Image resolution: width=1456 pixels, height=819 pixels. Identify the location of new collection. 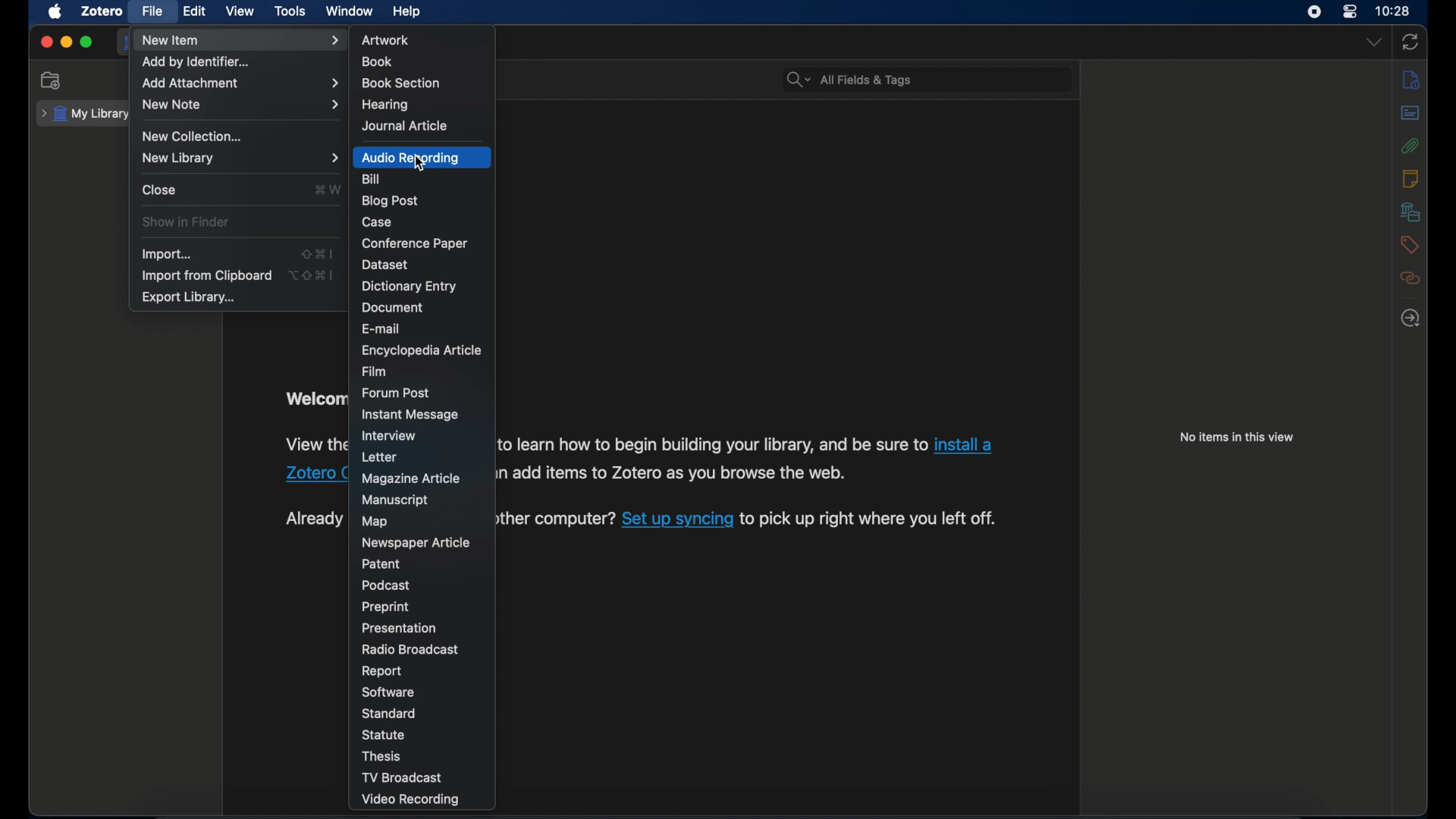
(54, 80).